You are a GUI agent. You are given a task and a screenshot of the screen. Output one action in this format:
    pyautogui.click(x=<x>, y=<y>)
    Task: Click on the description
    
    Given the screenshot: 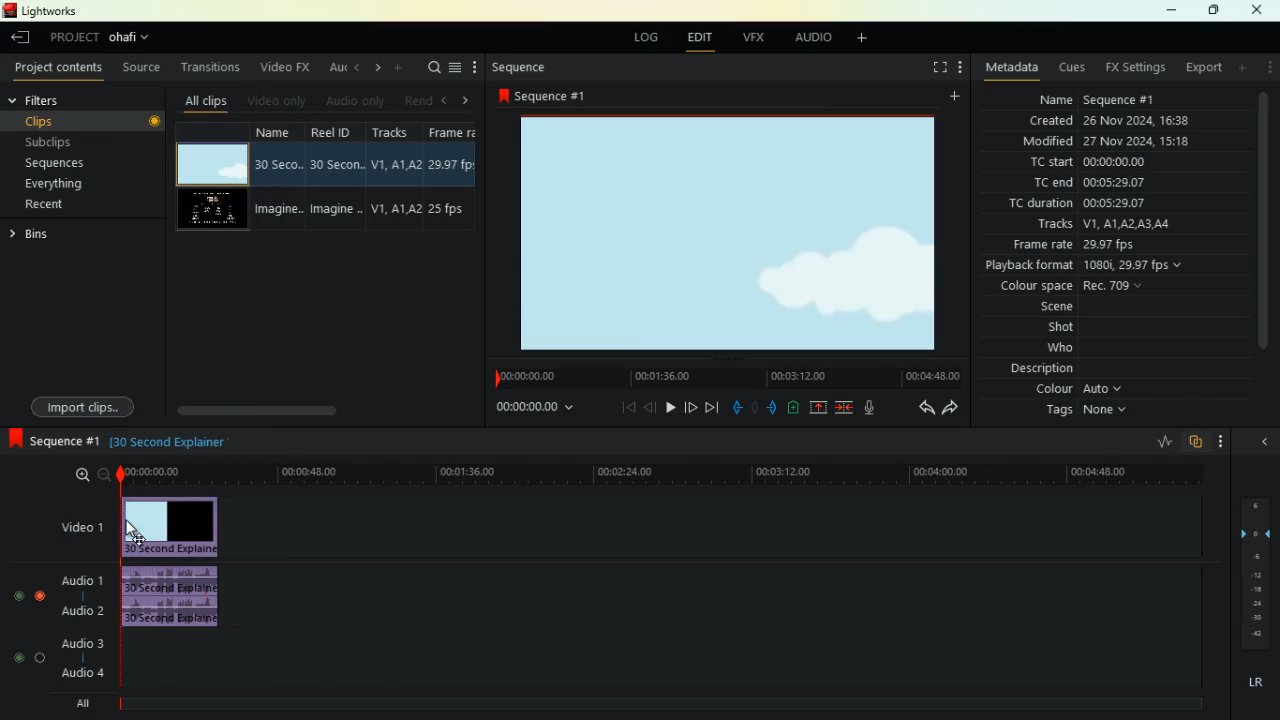 What is the action you would take?
    pyautogui.click(x=1042, y=369)
    